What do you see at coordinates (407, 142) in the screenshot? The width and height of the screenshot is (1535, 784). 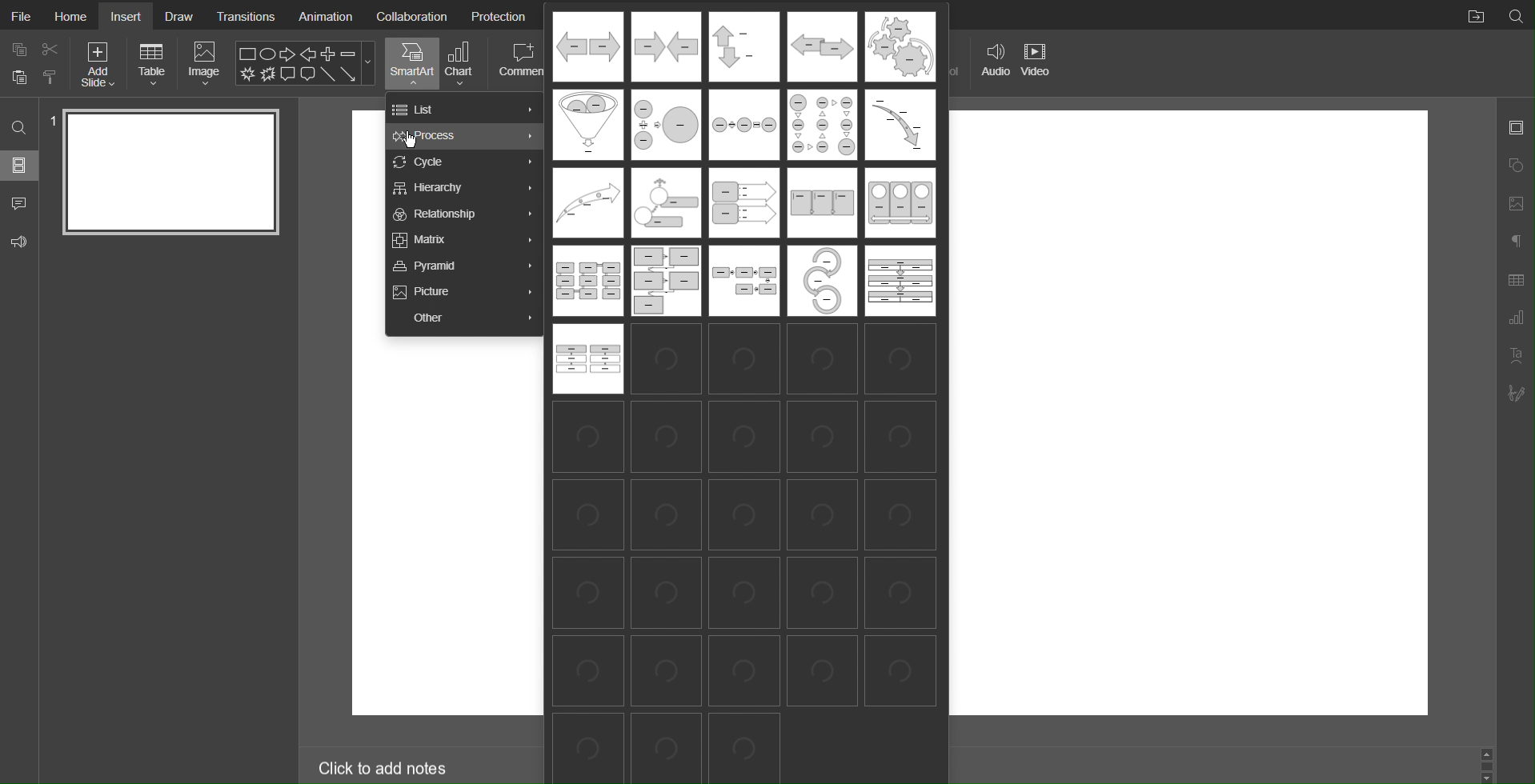 I see `cursor` at bounding box center [407, 142].